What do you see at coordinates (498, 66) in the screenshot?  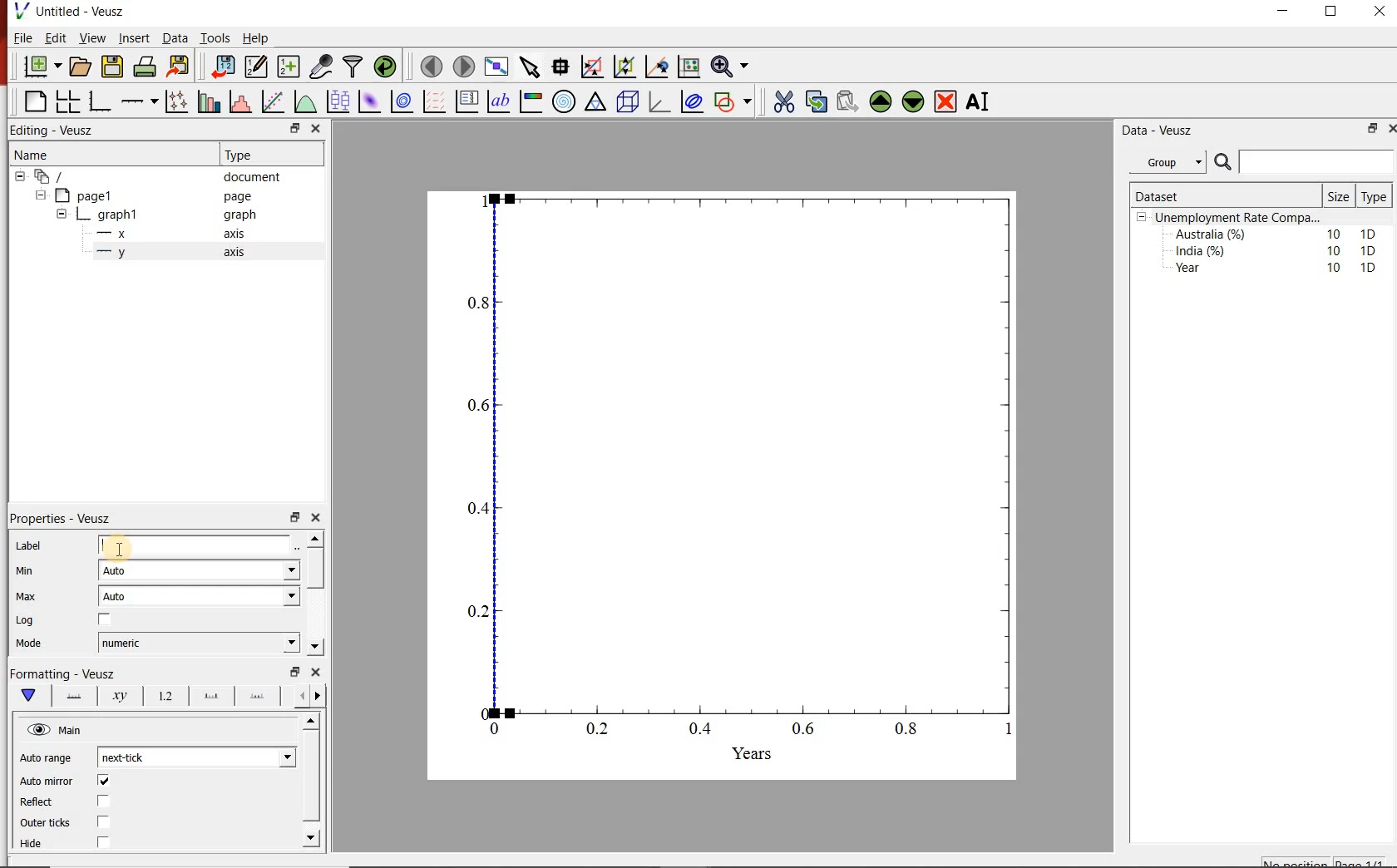 I see `view plot on full screen` at bounding box center [498, 66].